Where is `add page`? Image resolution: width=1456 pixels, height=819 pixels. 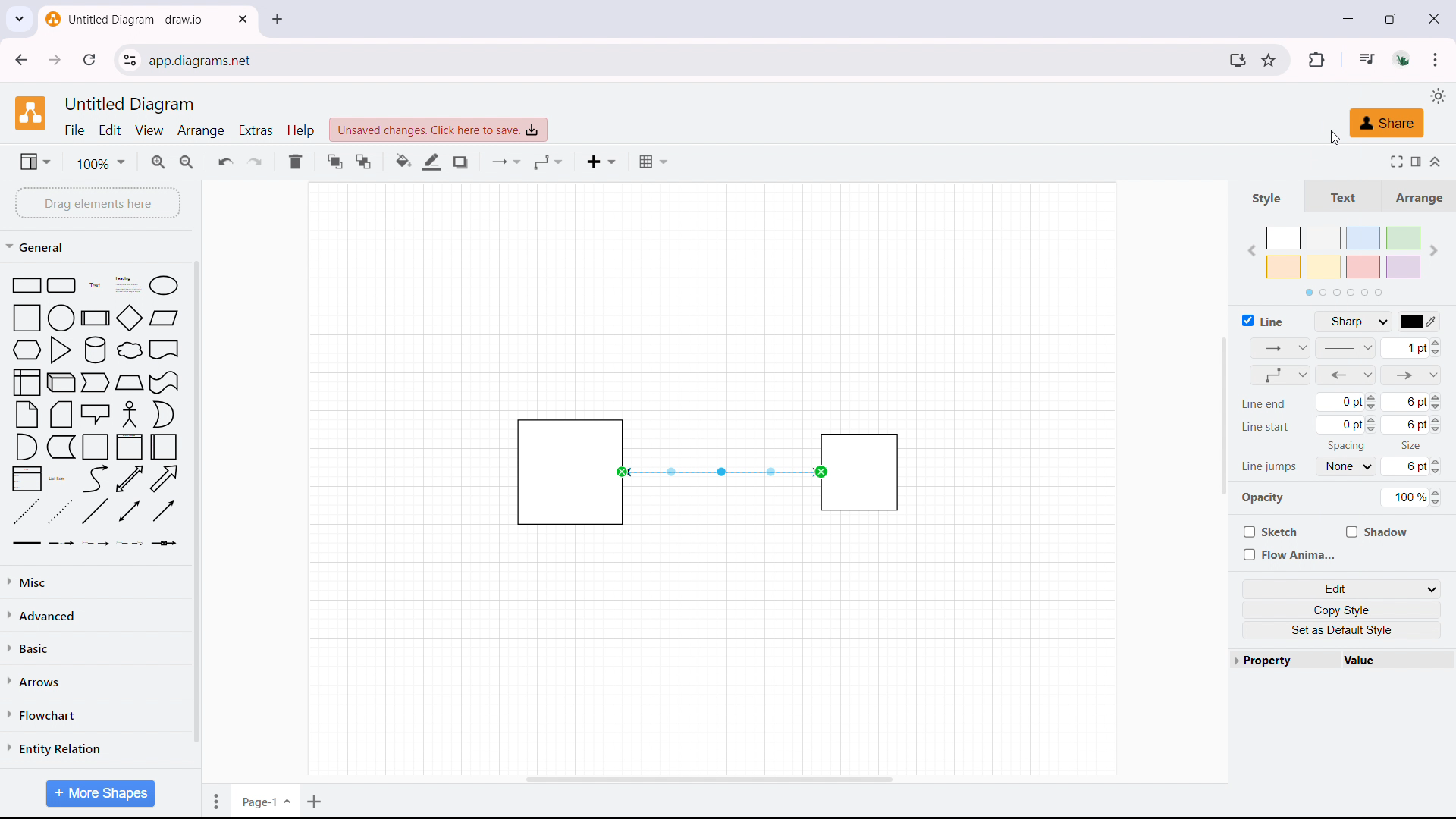 add page is located at coordinates (316, 800).